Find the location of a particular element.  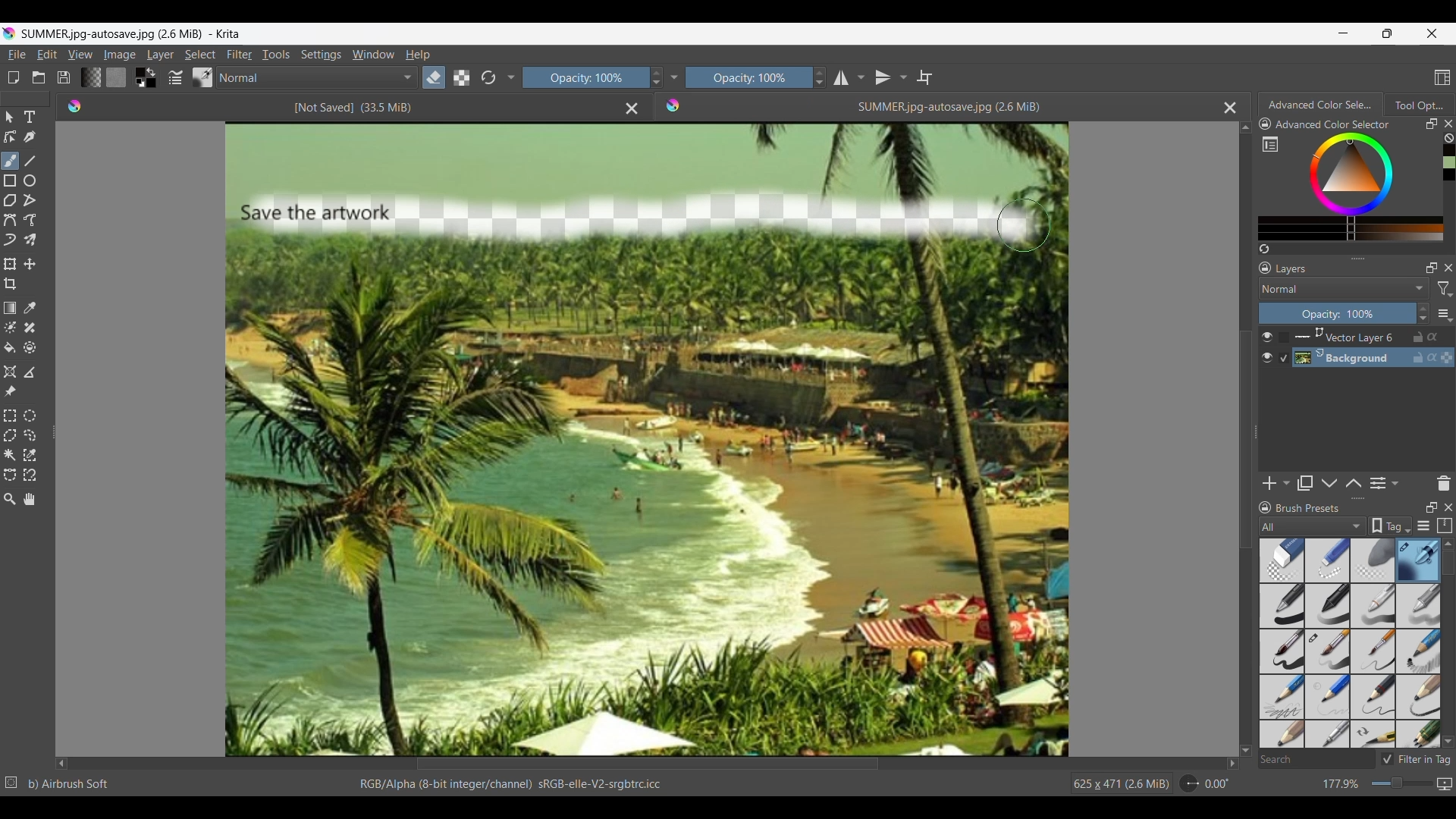

Add options is located at coordinates (1276, 483).